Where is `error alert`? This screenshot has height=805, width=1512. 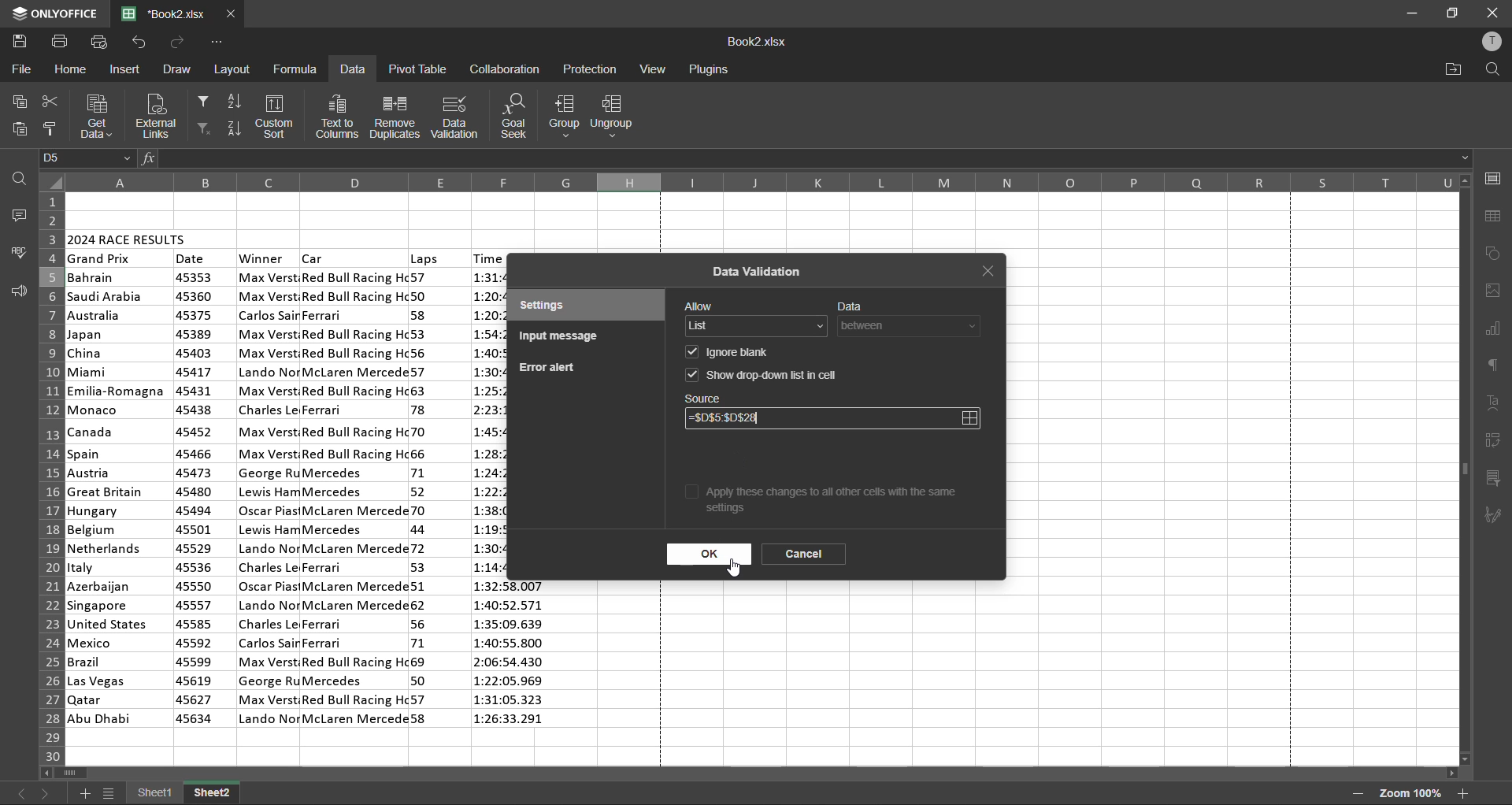 error alert is located at coordinates (547, 368).